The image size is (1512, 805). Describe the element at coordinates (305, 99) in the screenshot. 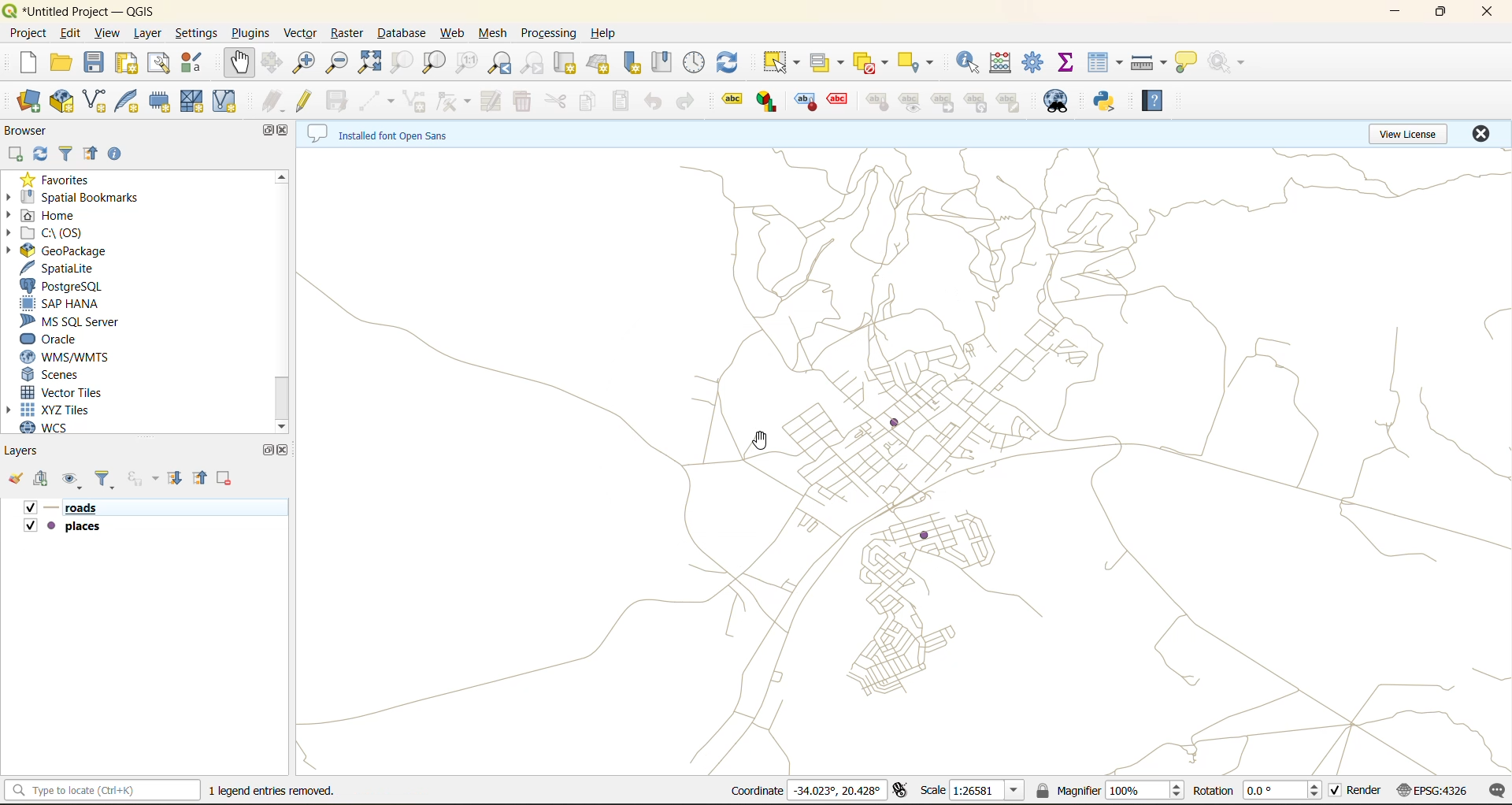

I see `toggle edits` at that location.